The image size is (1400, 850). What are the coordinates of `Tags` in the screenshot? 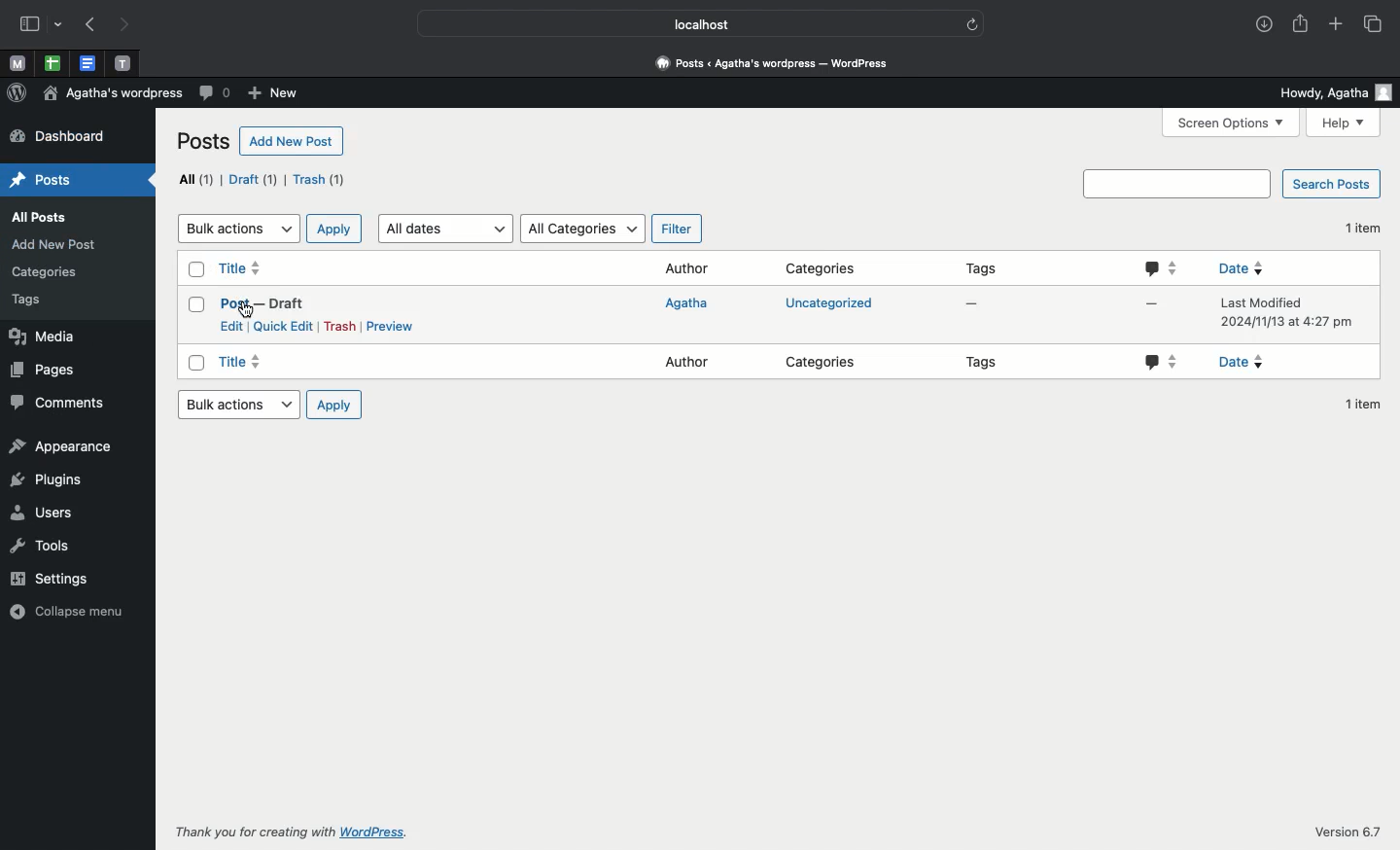 It's located at (986, 366).